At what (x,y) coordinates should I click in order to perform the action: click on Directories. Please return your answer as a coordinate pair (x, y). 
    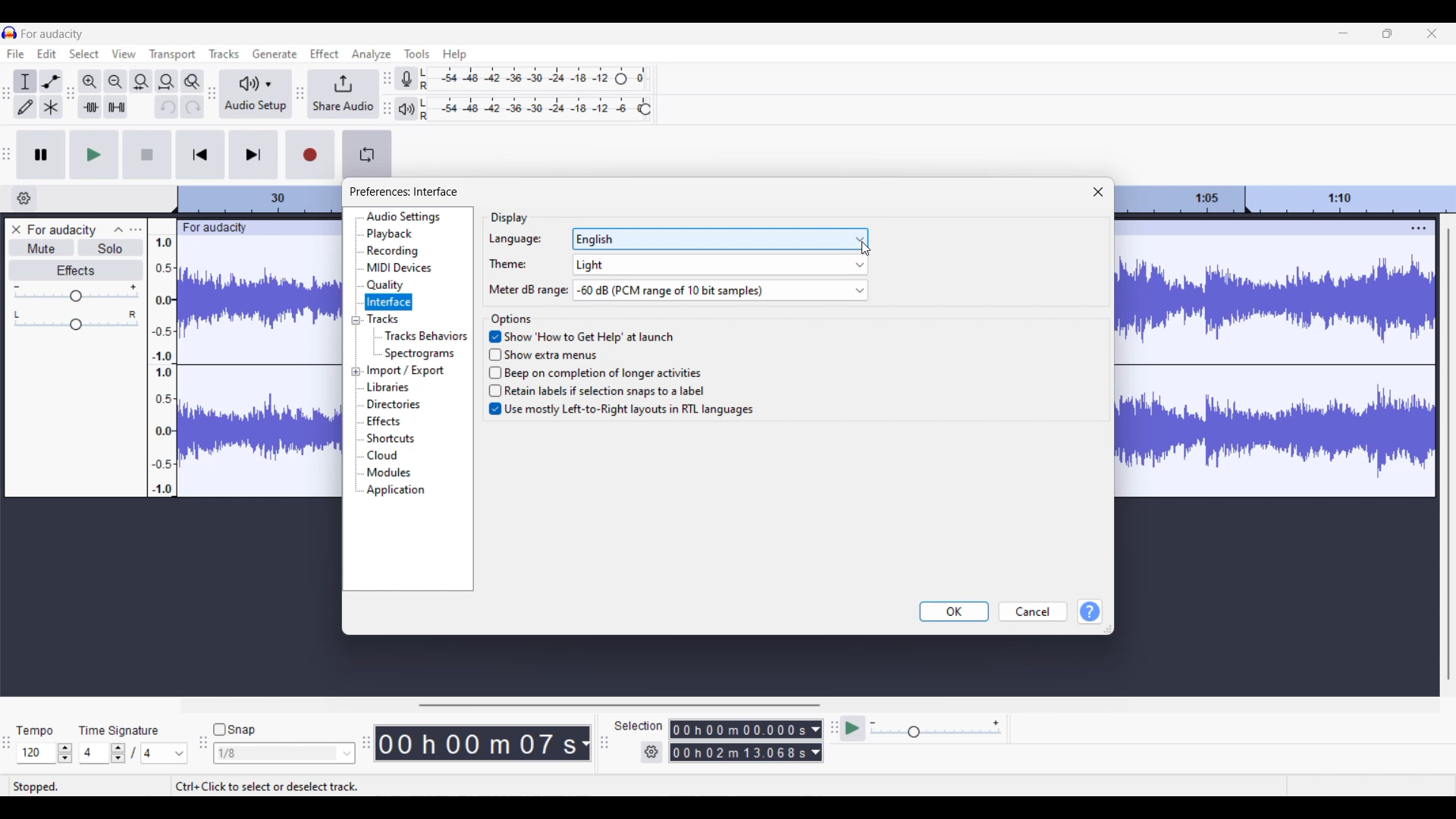
    Looking at the image, I should click on (394, 404).